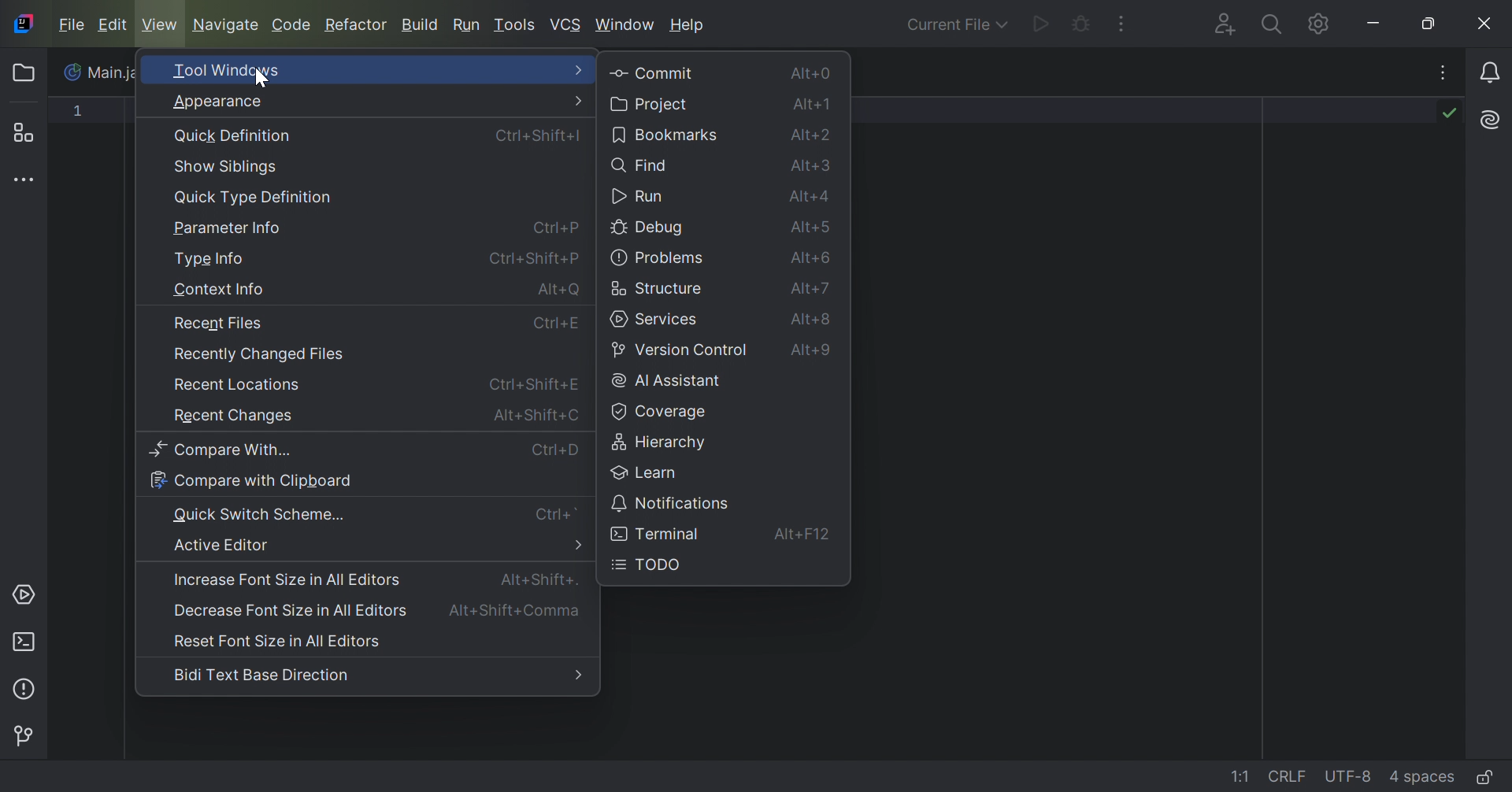 Image resolution: width=1512 pixels, height=792 pixels. What do you see at coordinates (260, 355) in the screenshot?
I see `Recently Changed Files` at bounding box center [260, 355].